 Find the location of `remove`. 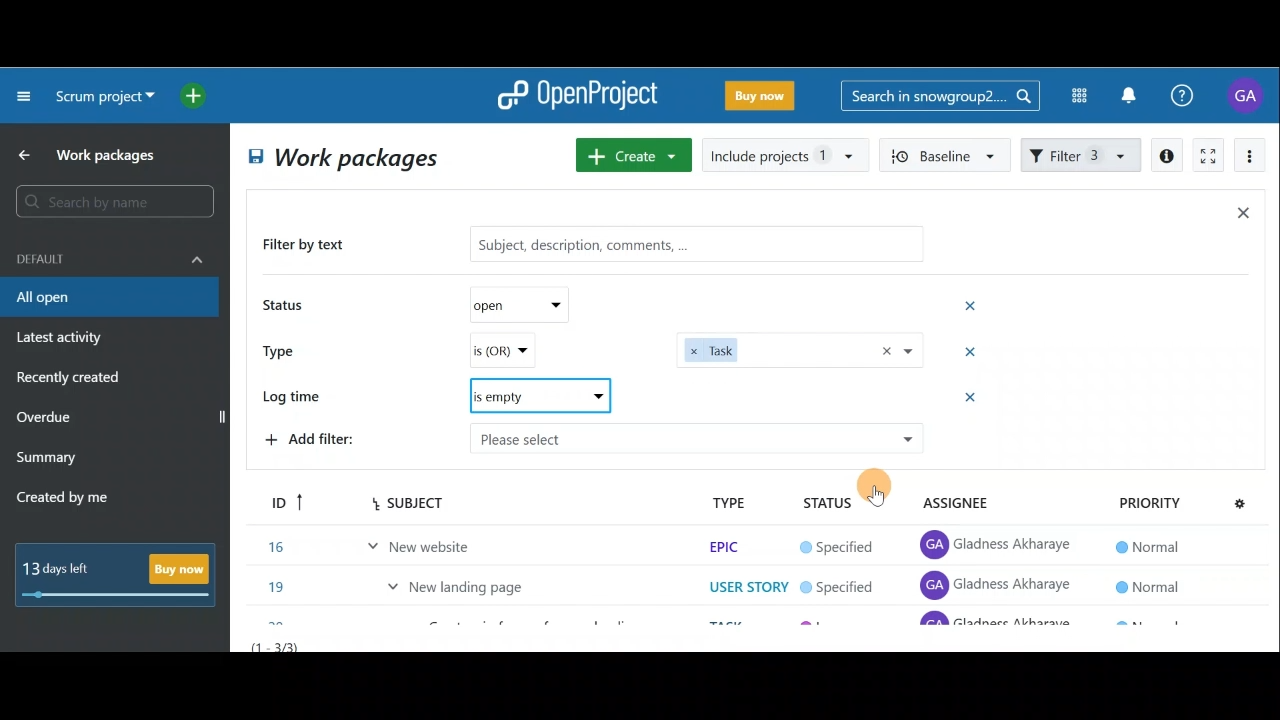

remove is located at coordinates (973, 400).